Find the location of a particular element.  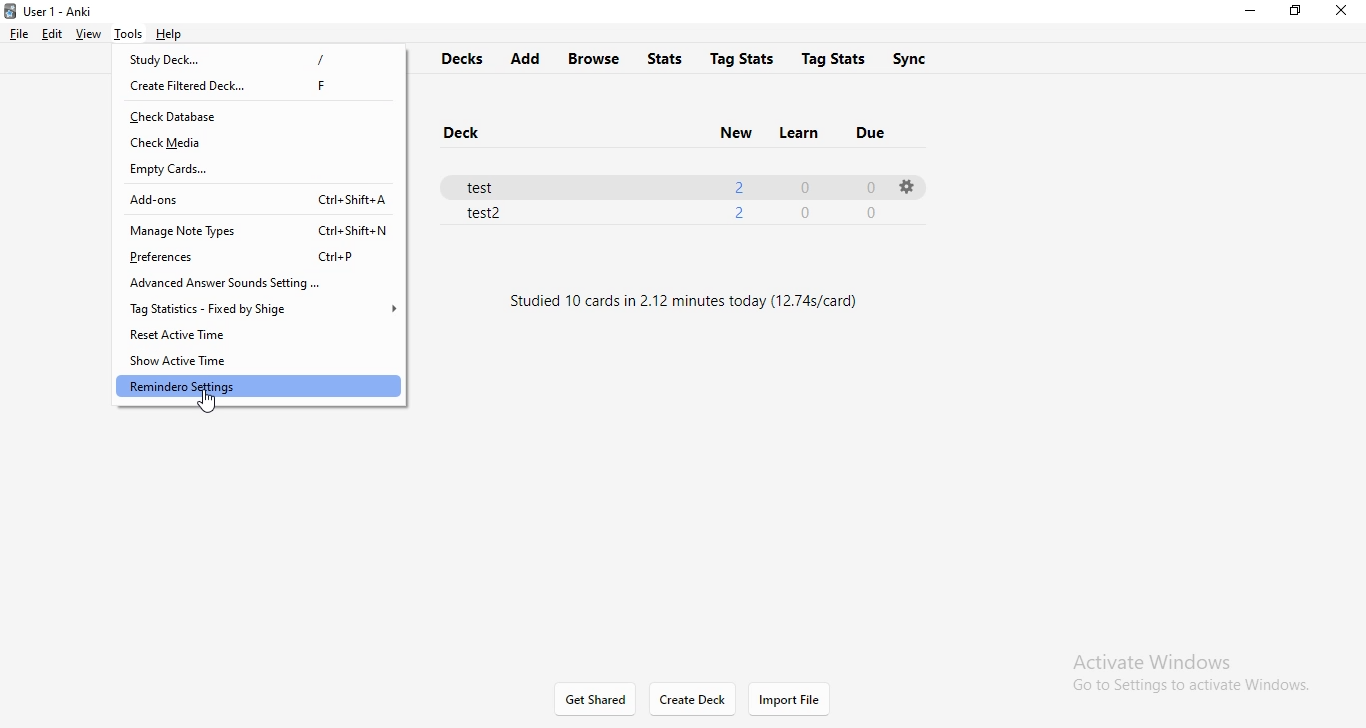

tools is located at coordinates (125, 33).